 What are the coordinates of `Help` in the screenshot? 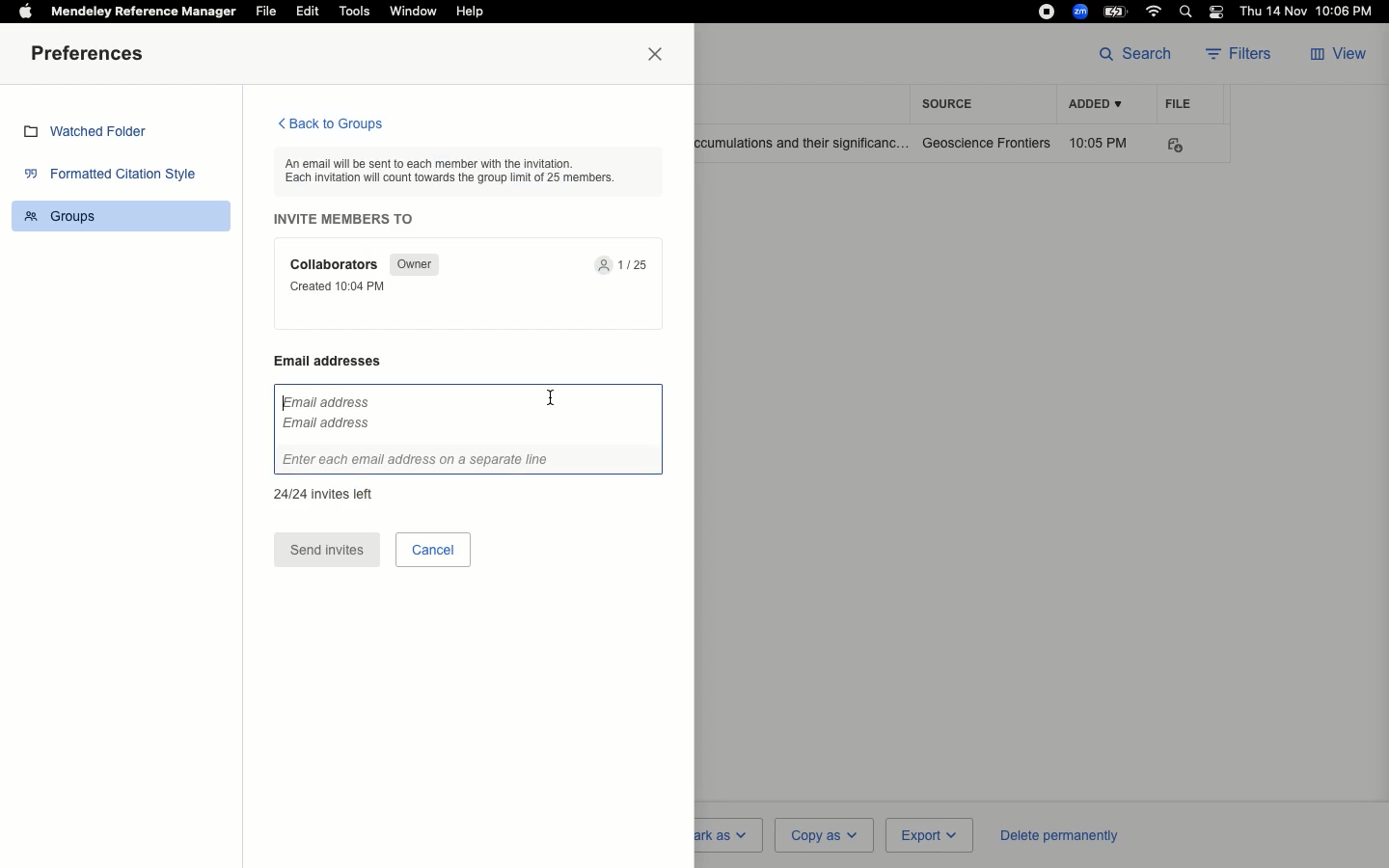 It's located at (469, 13).